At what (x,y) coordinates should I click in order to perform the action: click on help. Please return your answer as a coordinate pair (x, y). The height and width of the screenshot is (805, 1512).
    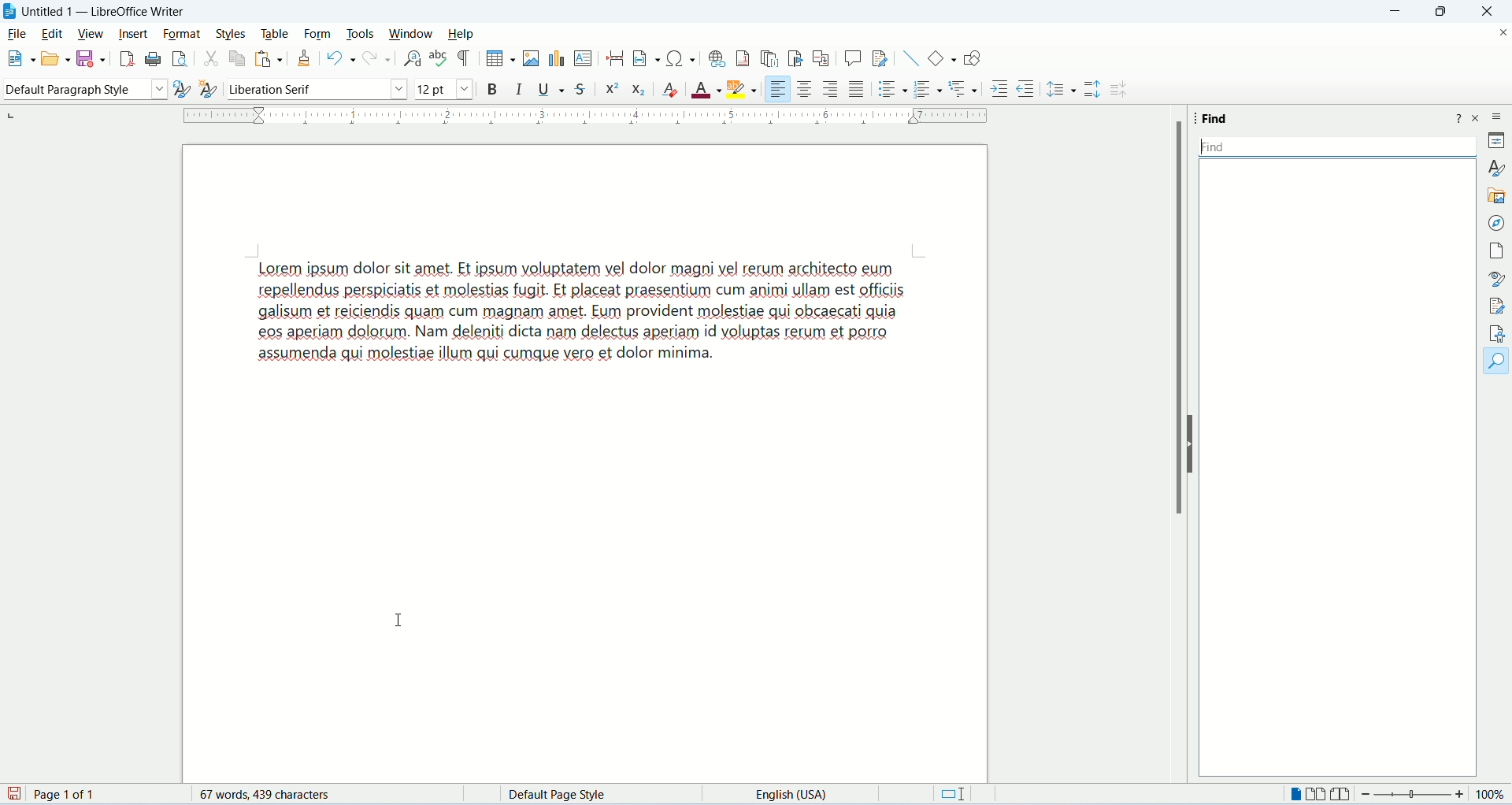
    Looking at the image, I should click on (463, 34).